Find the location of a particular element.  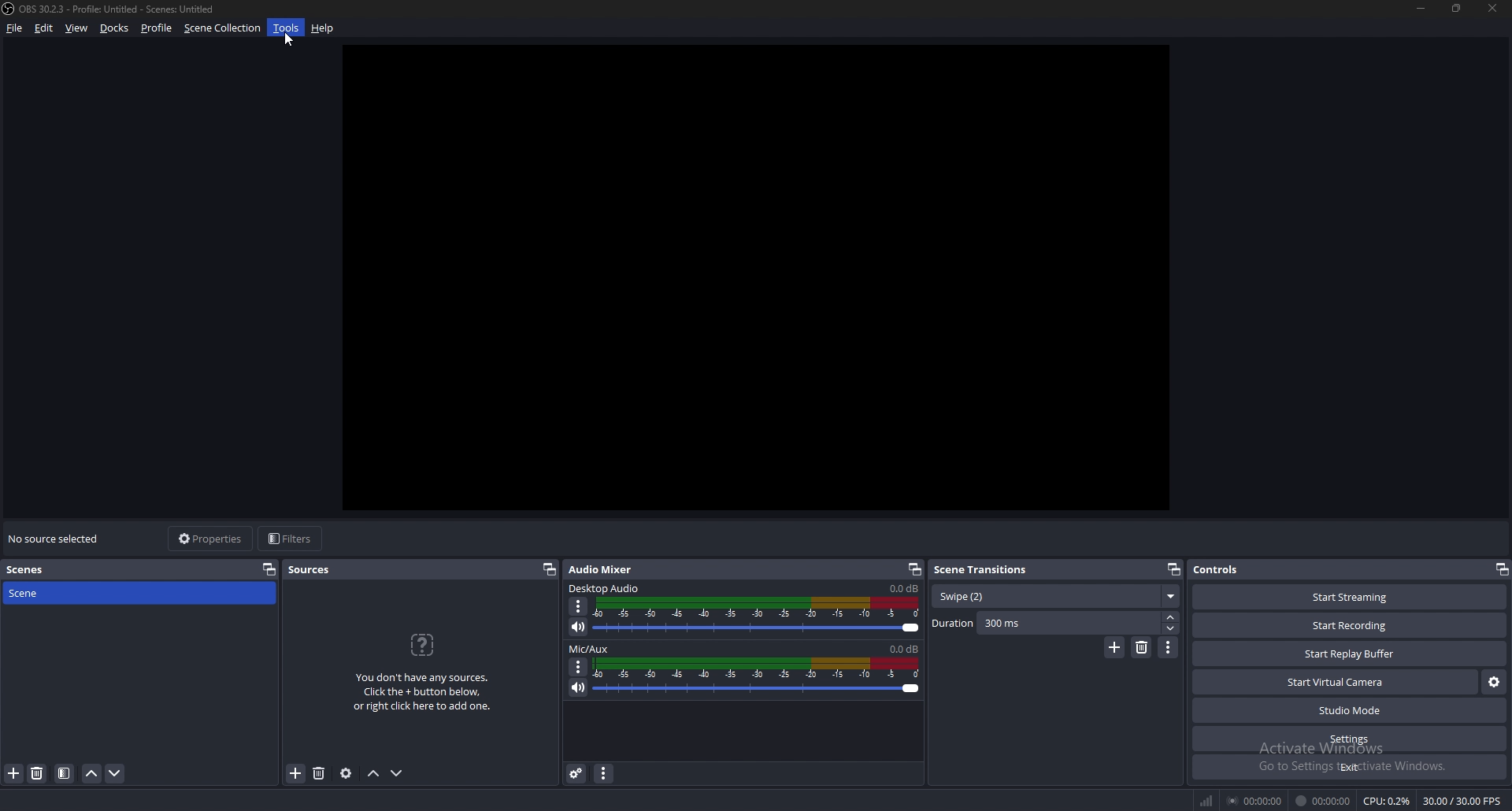

edit is located at coordinates (44, 28).